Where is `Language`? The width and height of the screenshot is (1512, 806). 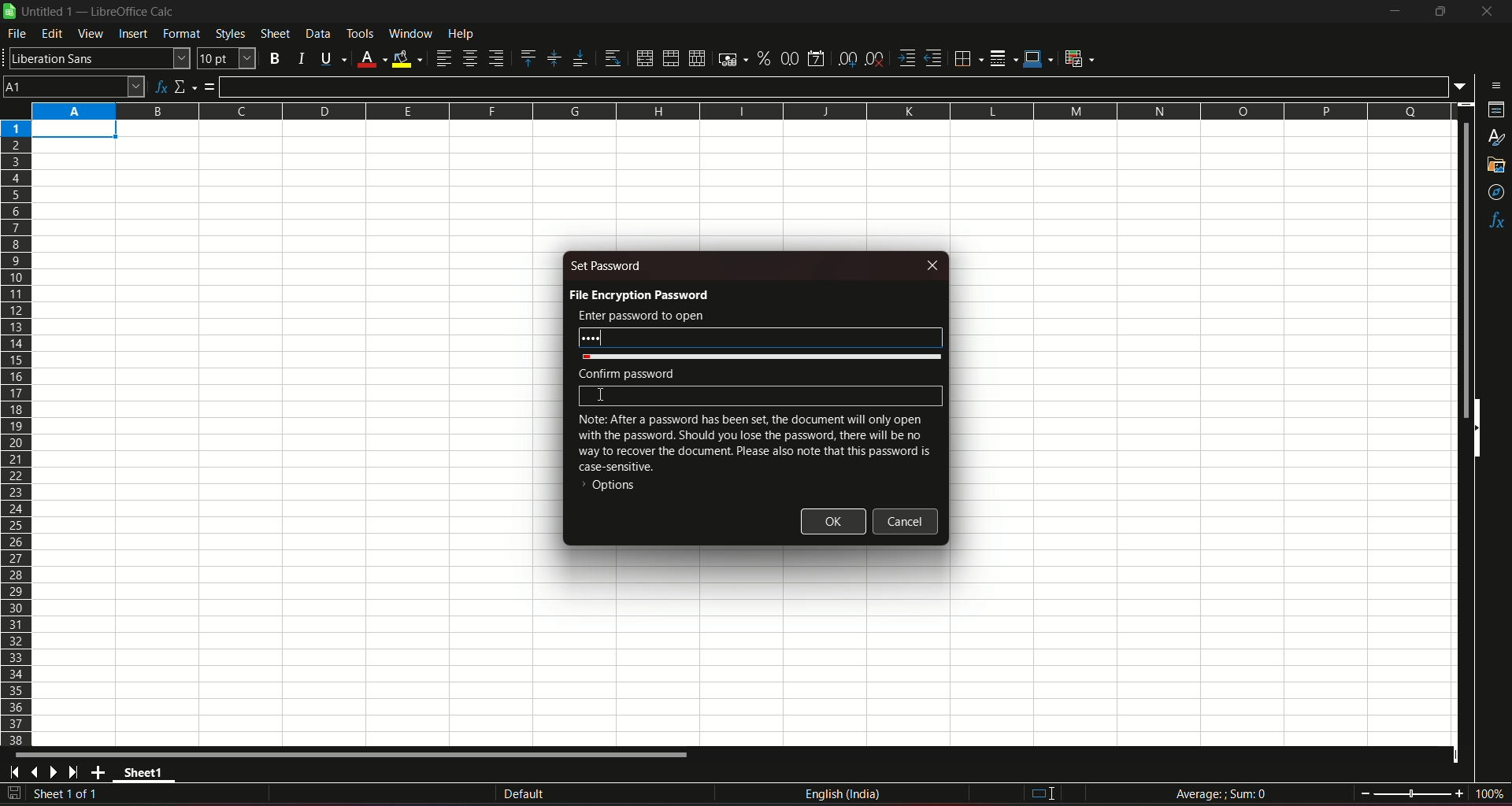
Language is located at coordinates (844, 794).